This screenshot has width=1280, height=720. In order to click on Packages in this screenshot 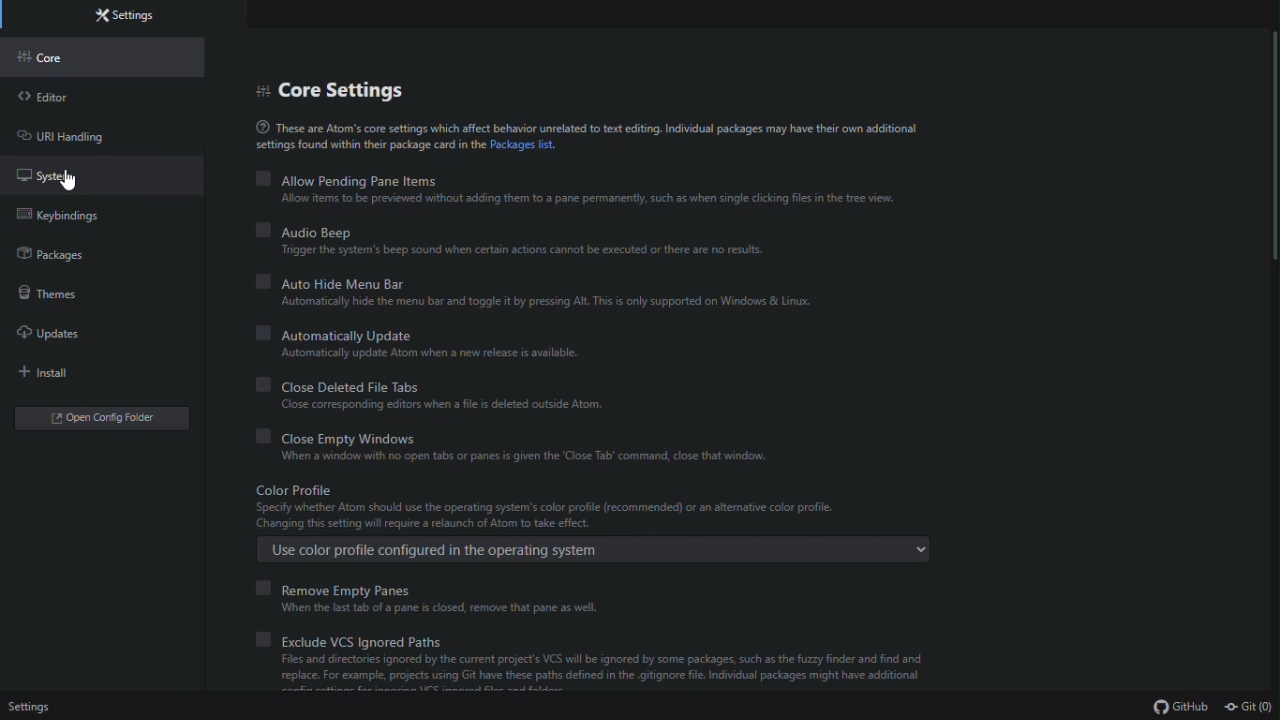, I will do `click(68, 258)`.